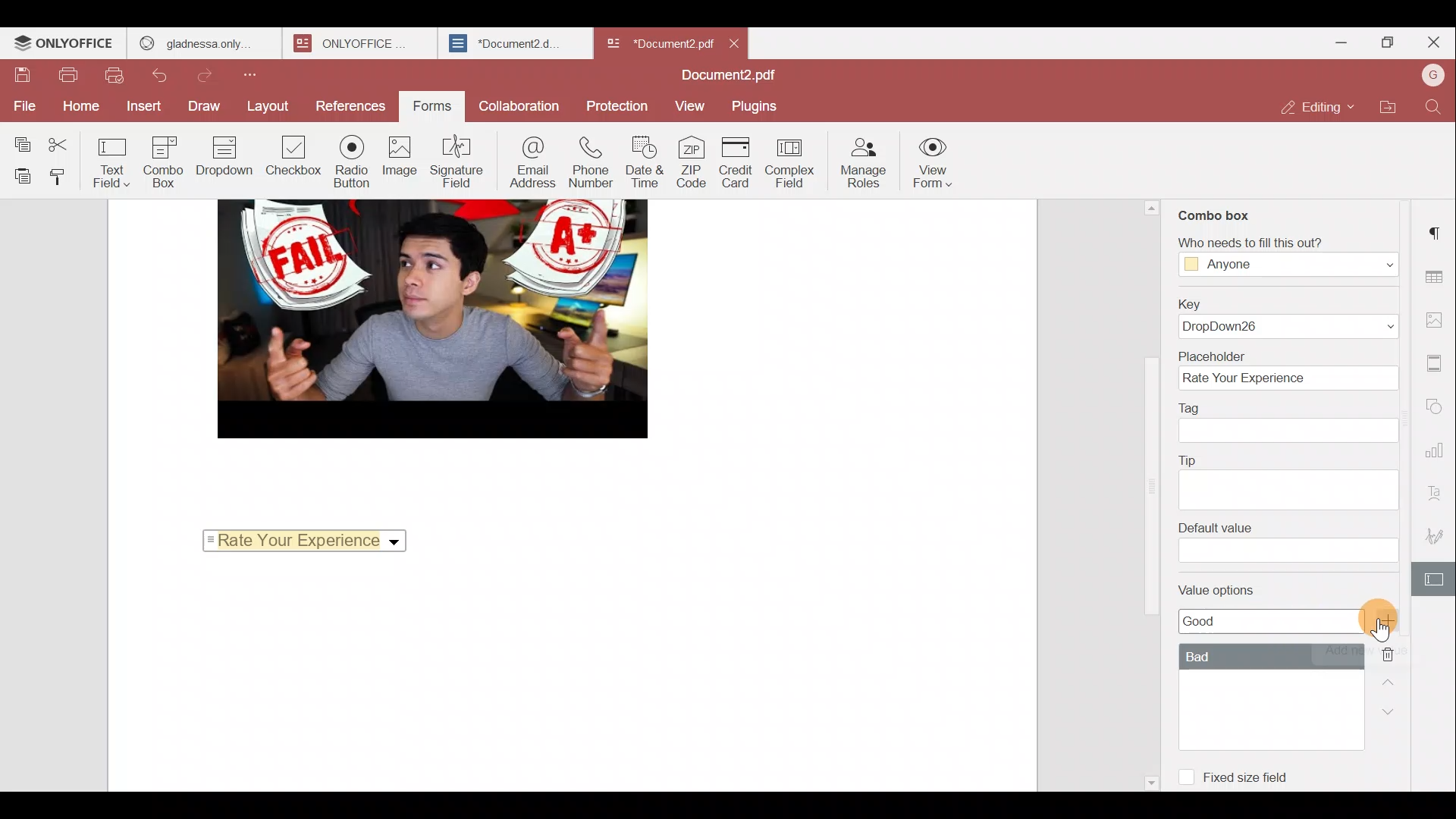  Describe the element at coordinates (427, 107) in the screenshot. I see `Forms` at that location.